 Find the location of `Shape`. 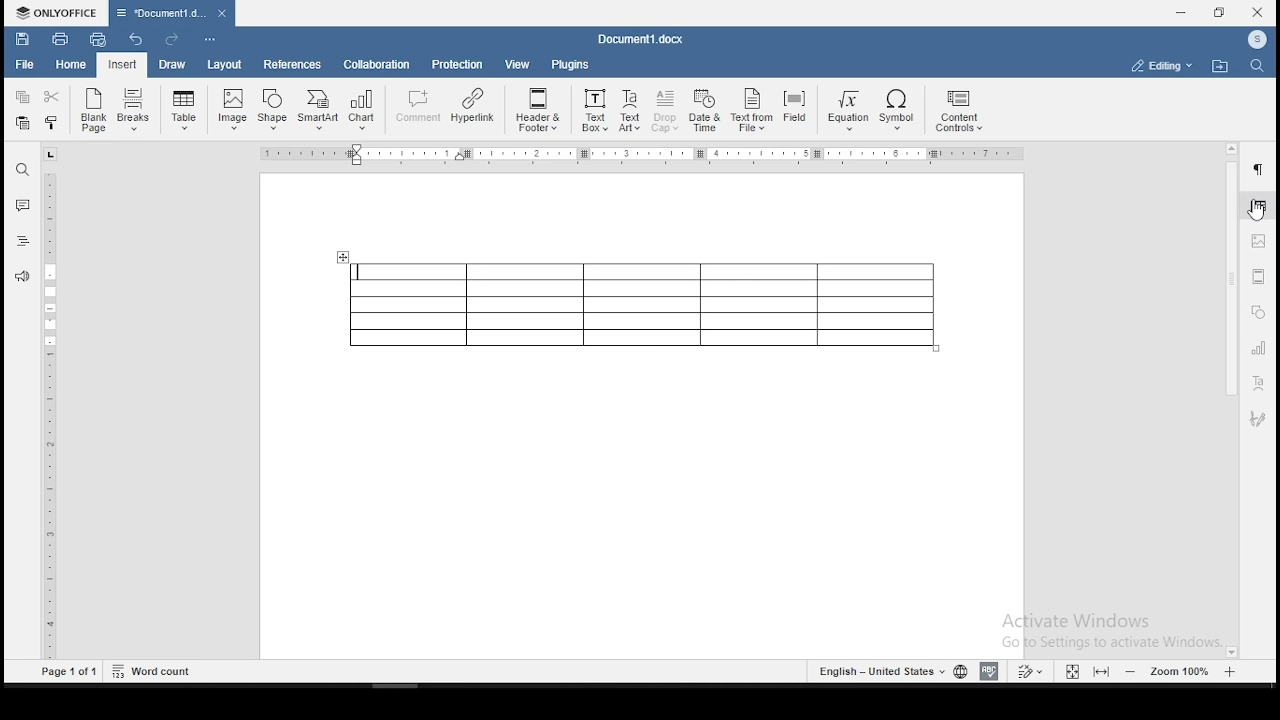

Shape is located at coordinates (274, 108).